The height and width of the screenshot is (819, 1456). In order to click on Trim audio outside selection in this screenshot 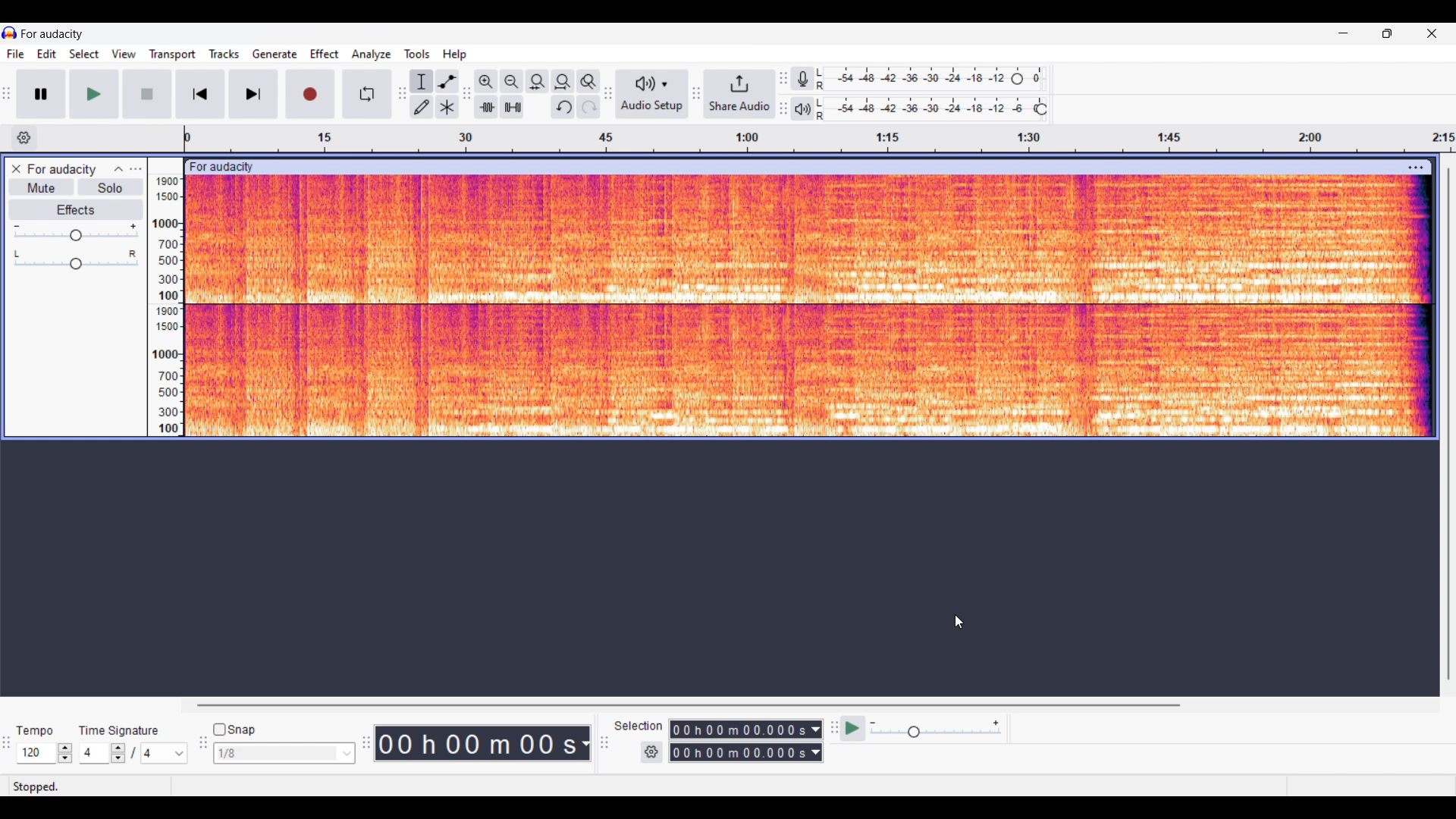, I will do `click(486, 107)`.